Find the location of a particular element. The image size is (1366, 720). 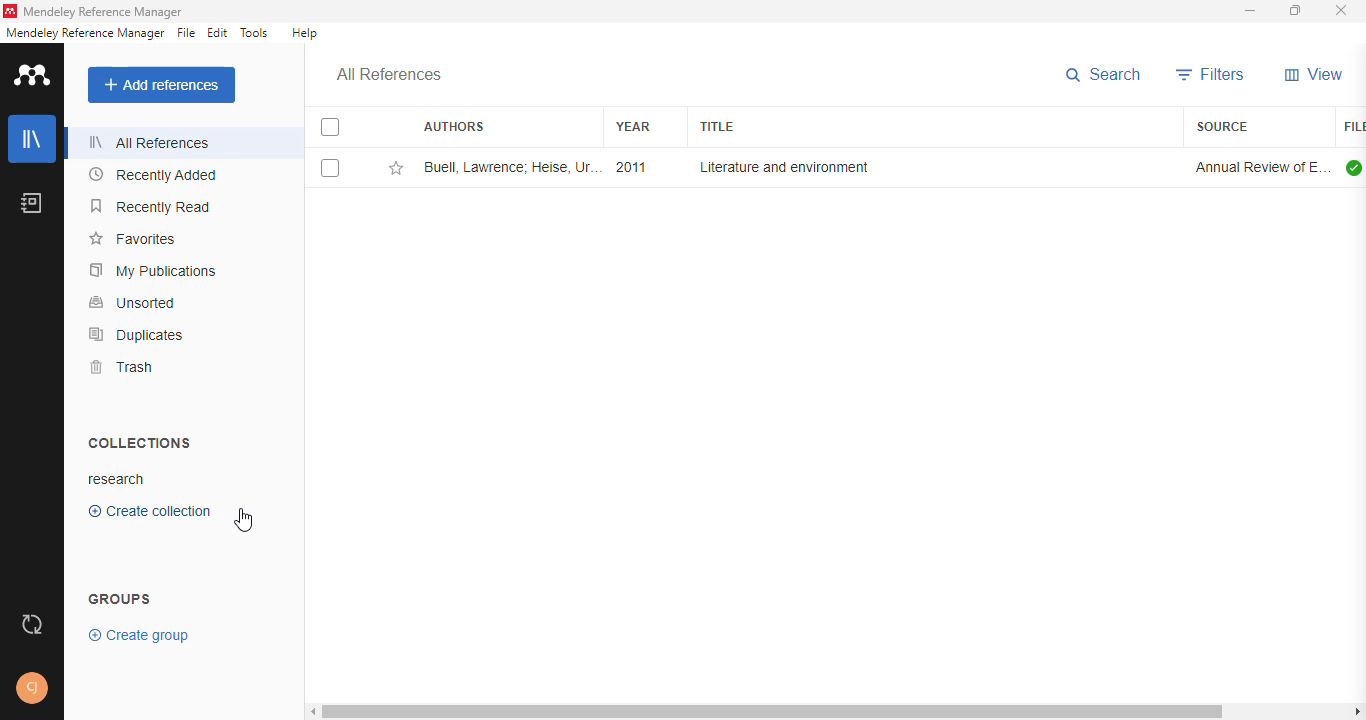

add references is located at coordinates (161, 85).